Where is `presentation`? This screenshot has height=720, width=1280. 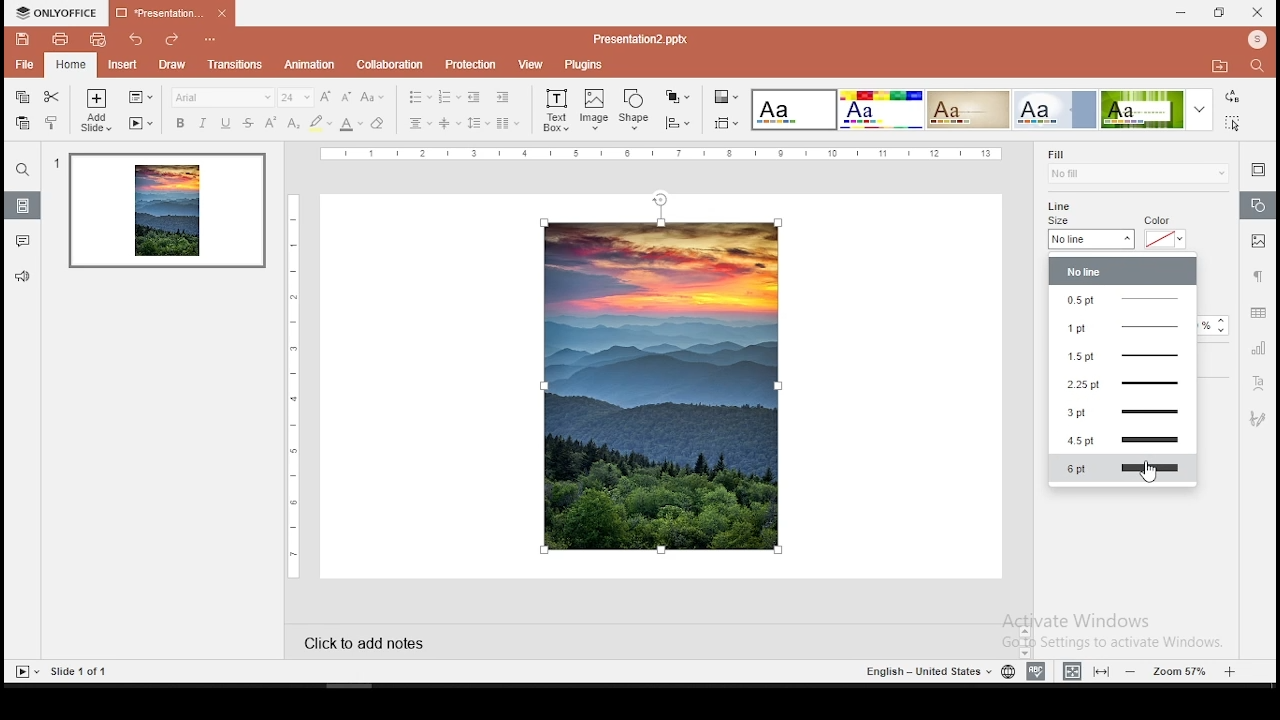 presentation is located at coordinates (172, 12).